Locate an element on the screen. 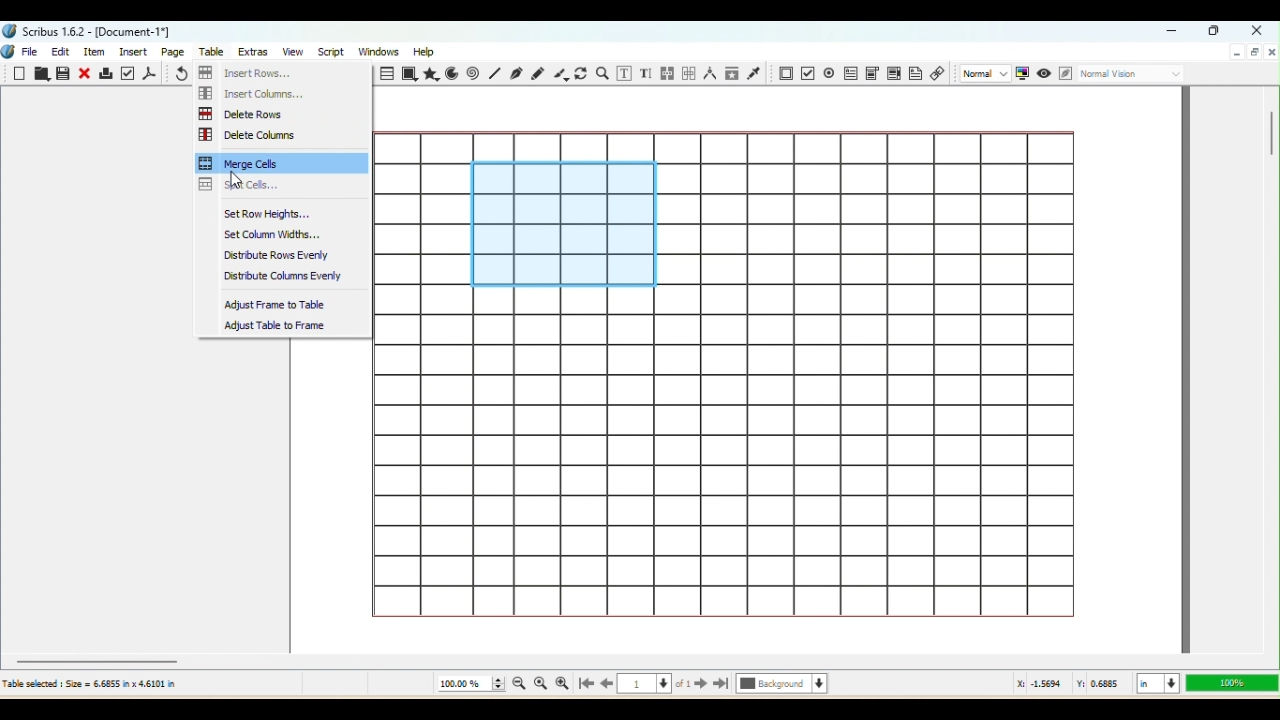 This screenshot has width=1280, height=720. Edit in Preview mode is located at coordinates (1064, 74).